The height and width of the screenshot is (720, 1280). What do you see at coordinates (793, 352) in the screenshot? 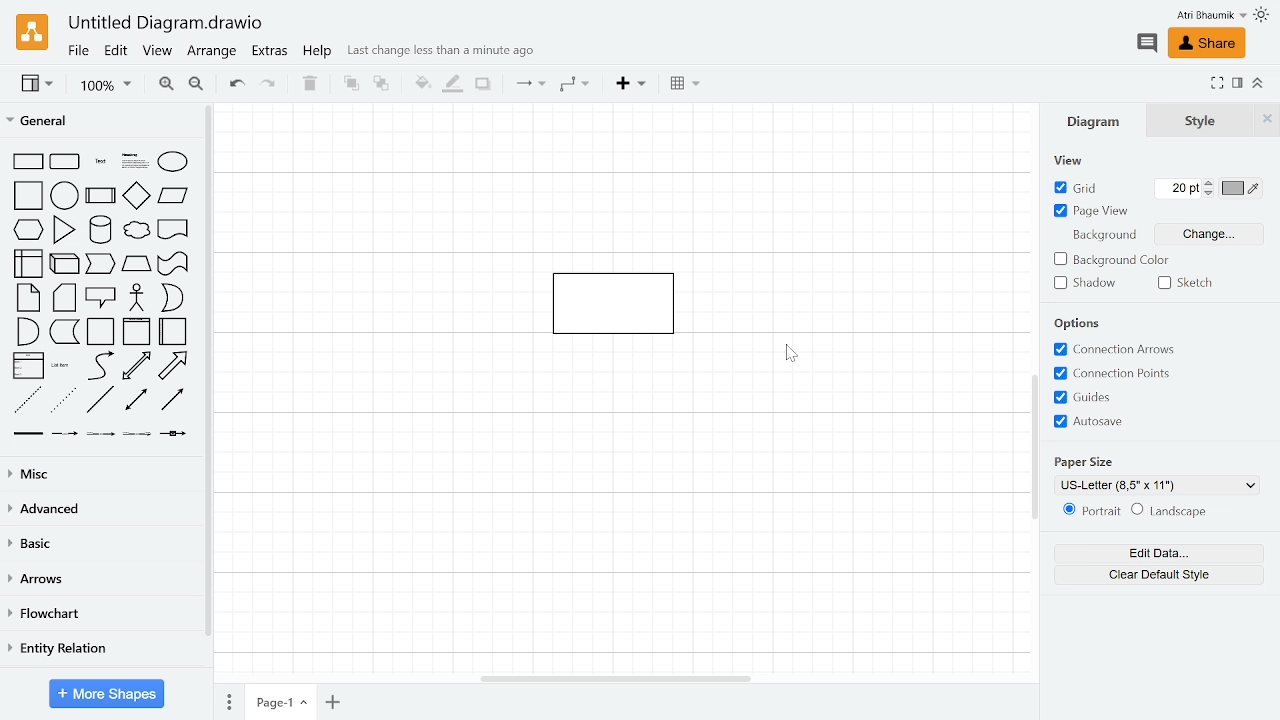
I see `Cursor` at bounding box center [793, 352].